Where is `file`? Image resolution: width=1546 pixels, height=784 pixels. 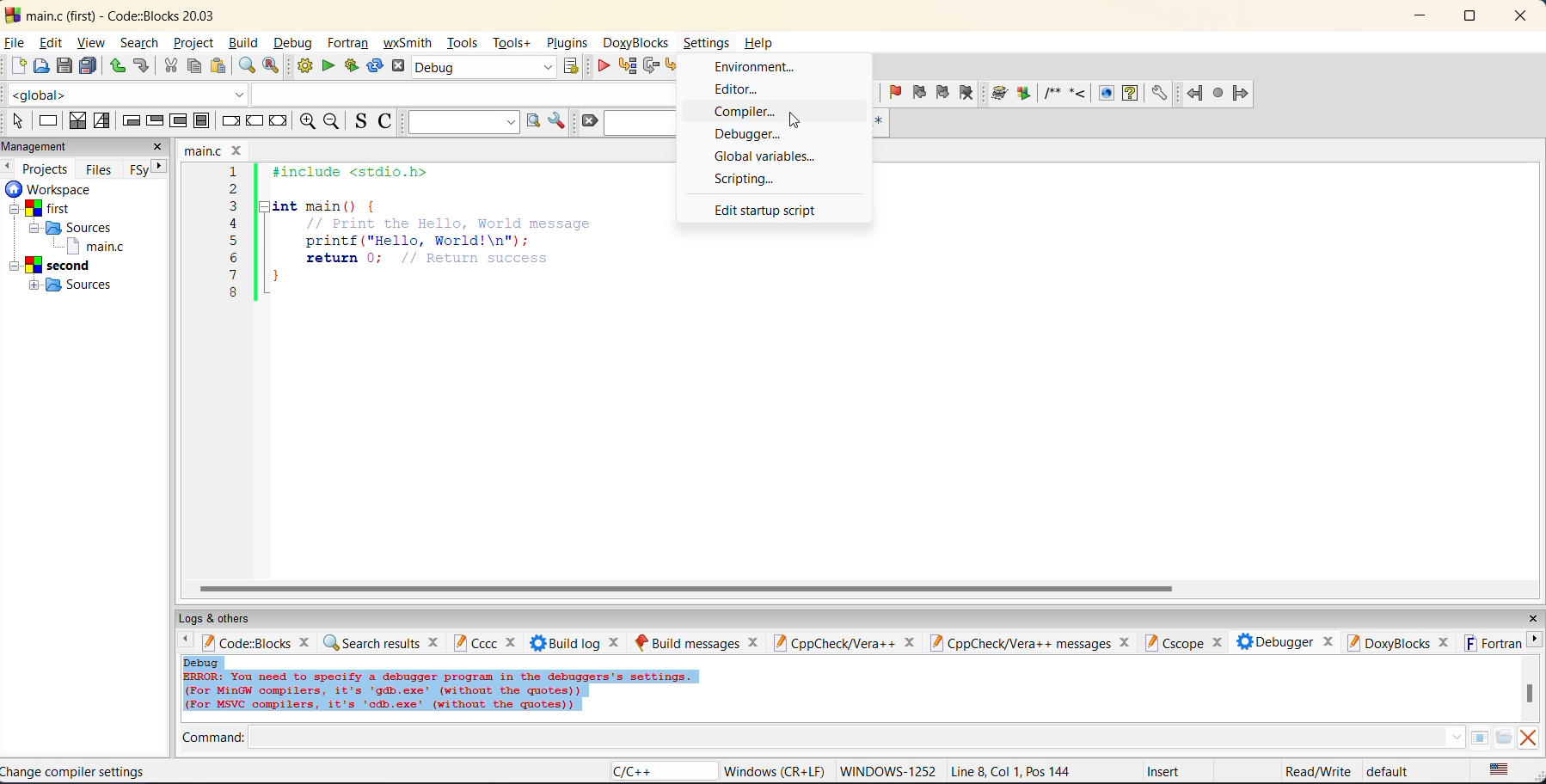 file is located at coordinates (15, 43).